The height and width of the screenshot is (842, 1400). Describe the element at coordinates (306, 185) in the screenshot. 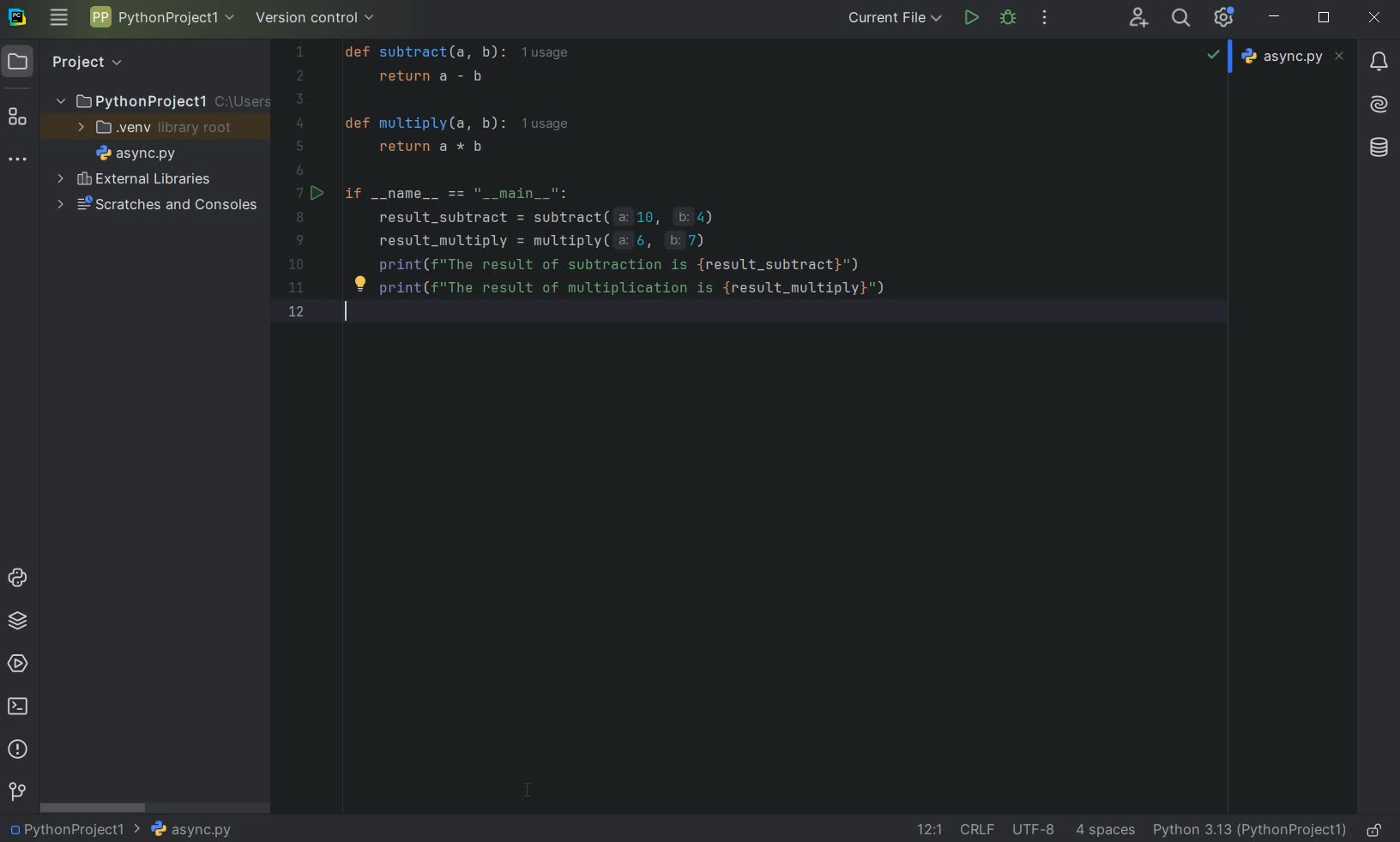

I see `line number` at that location.